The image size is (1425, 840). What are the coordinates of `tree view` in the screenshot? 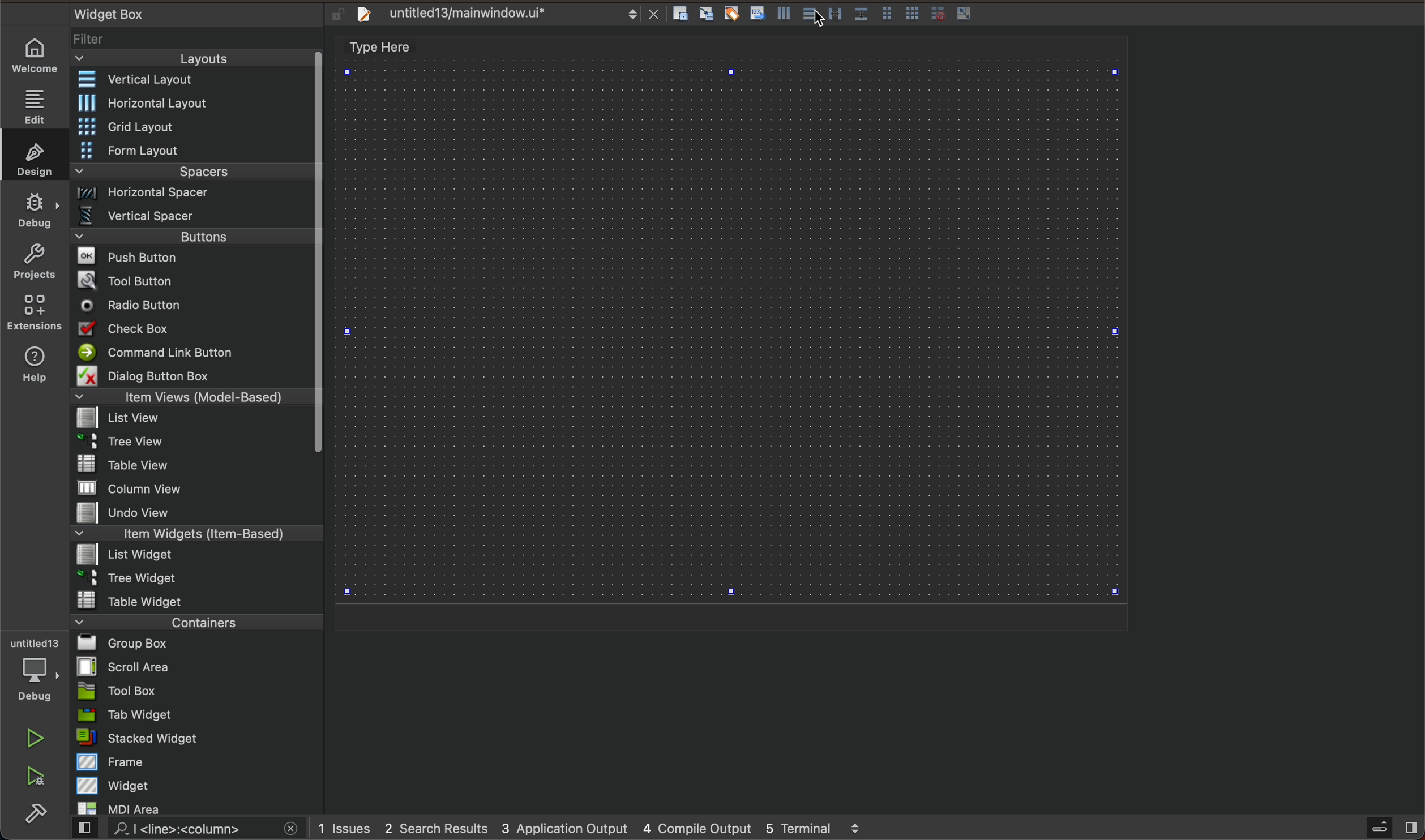 It's located at (194, 443).